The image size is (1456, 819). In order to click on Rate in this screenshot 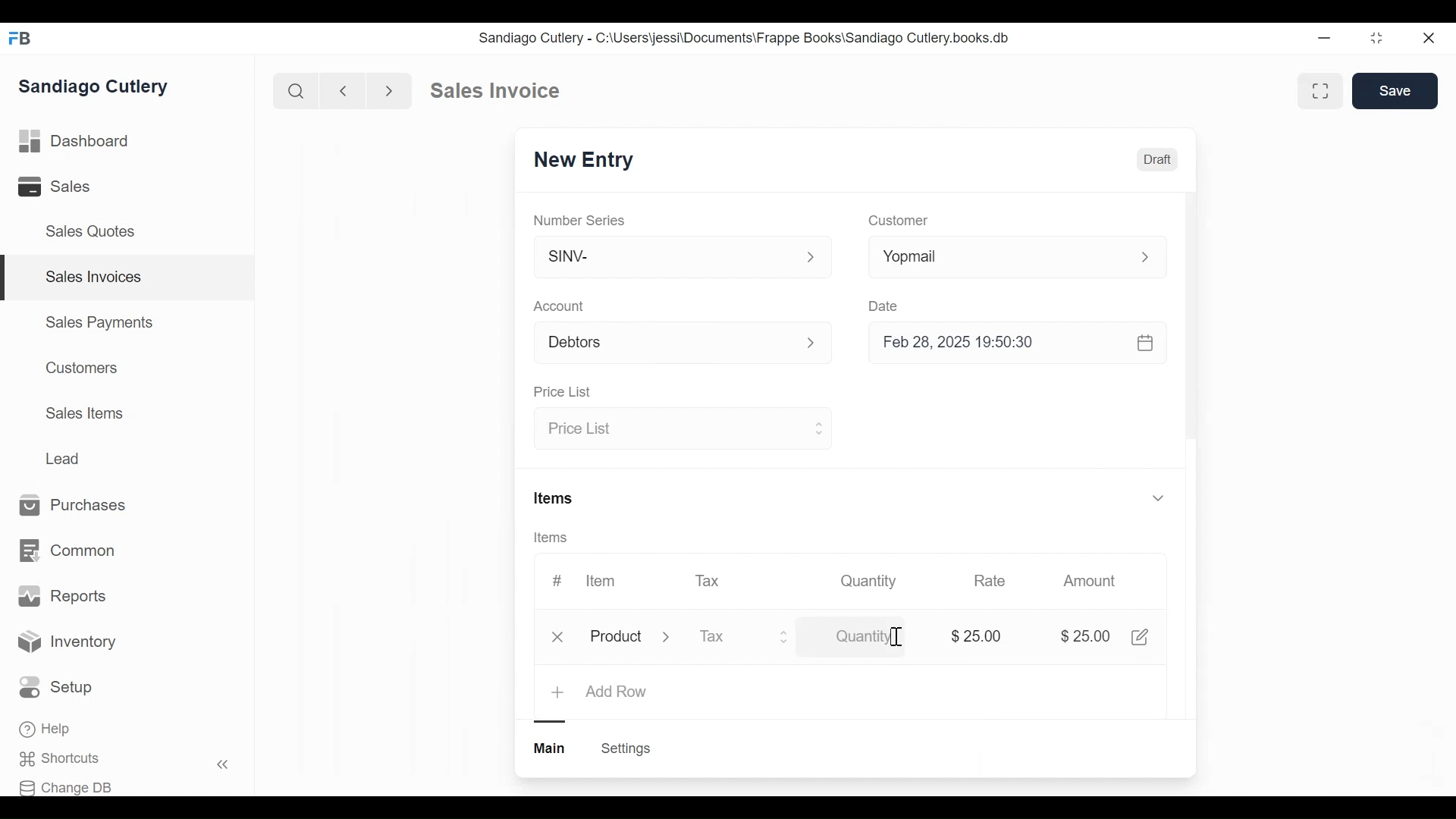, I will do `click(990, 581)`.